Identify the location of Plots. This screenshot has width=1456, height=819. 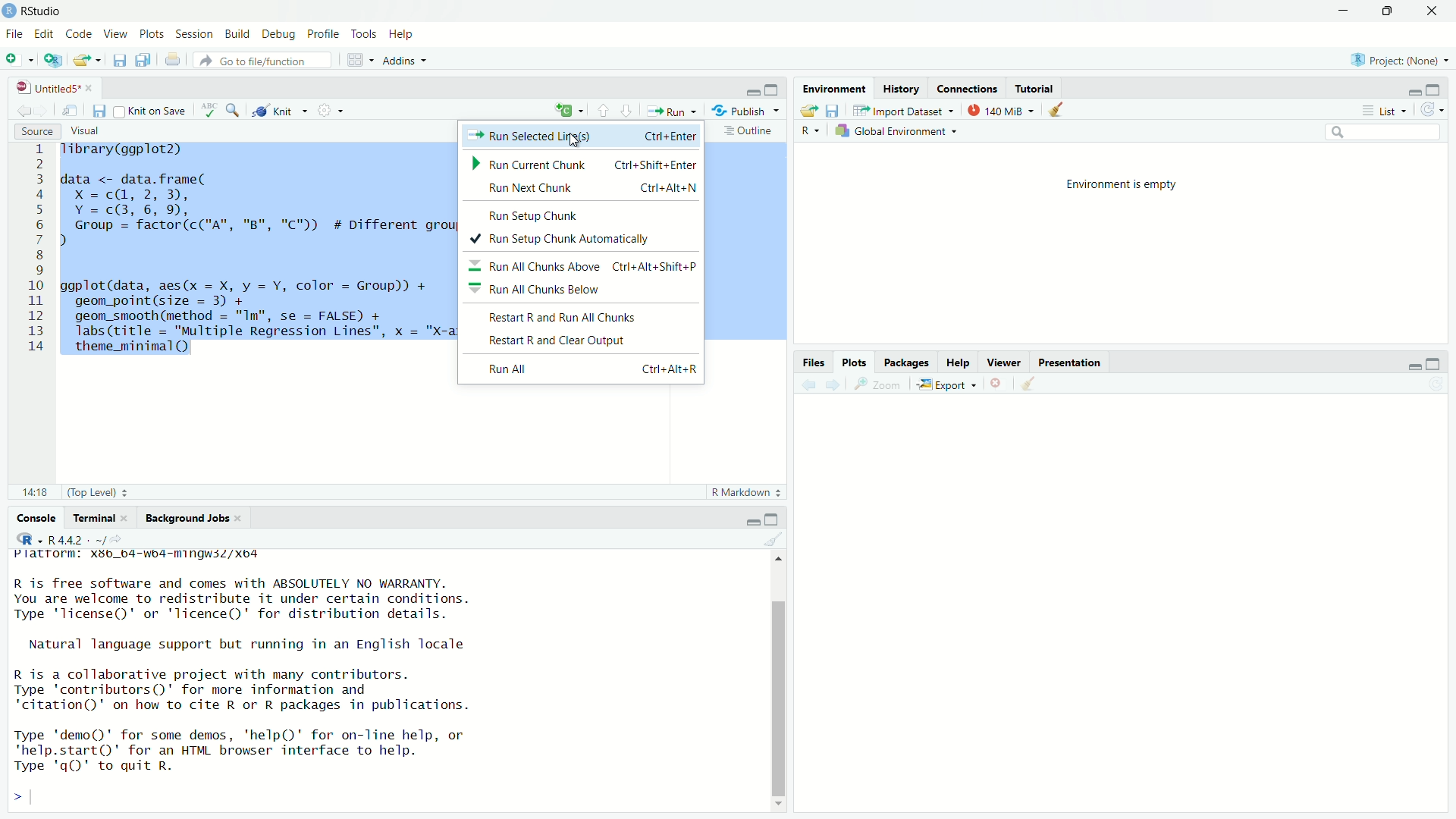
(851, 361).